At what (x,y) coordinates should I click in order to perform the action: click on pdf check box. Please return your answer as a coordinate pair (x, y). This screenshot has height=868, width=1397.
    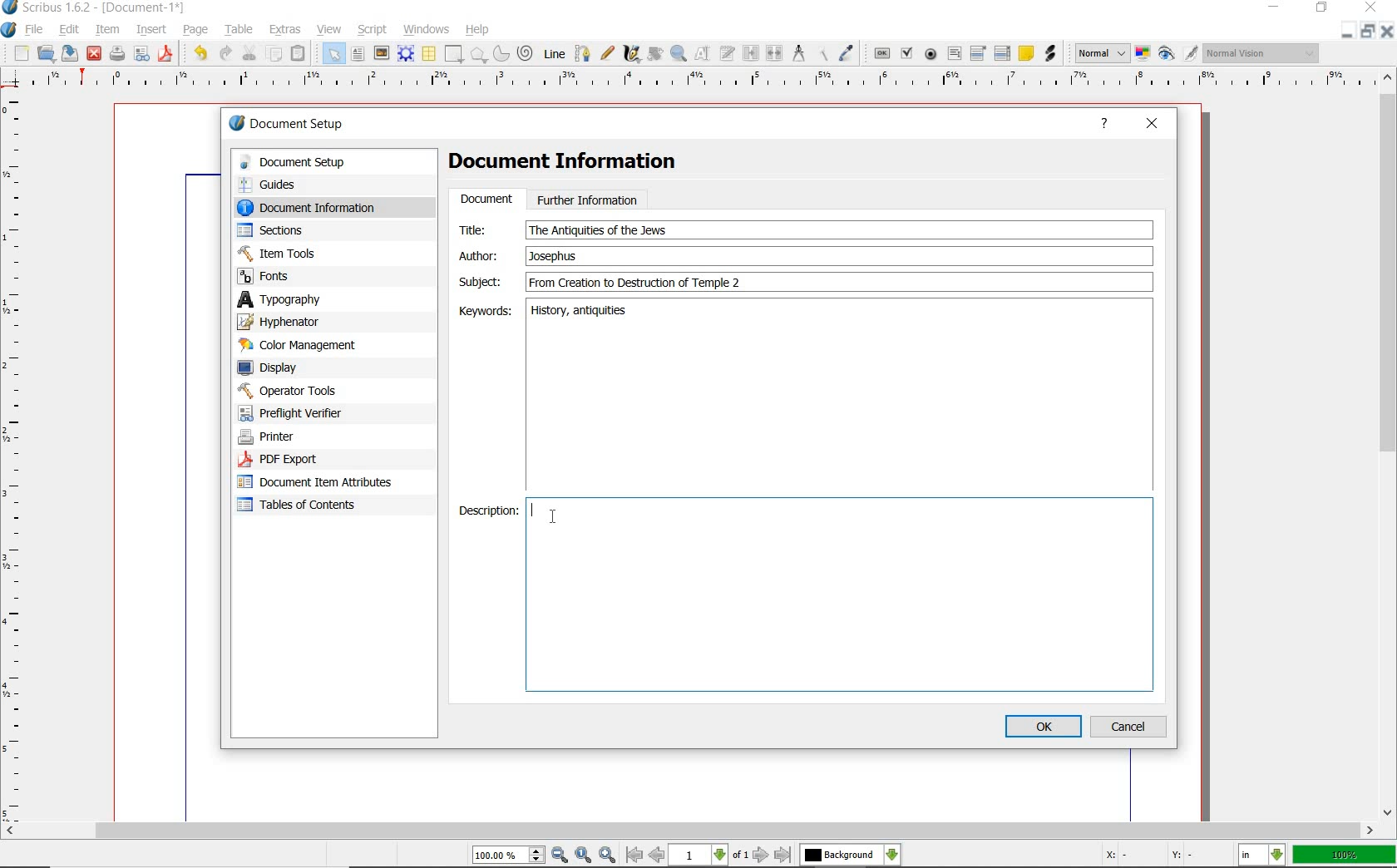
    Looking at the image, I should click on (908, 52).